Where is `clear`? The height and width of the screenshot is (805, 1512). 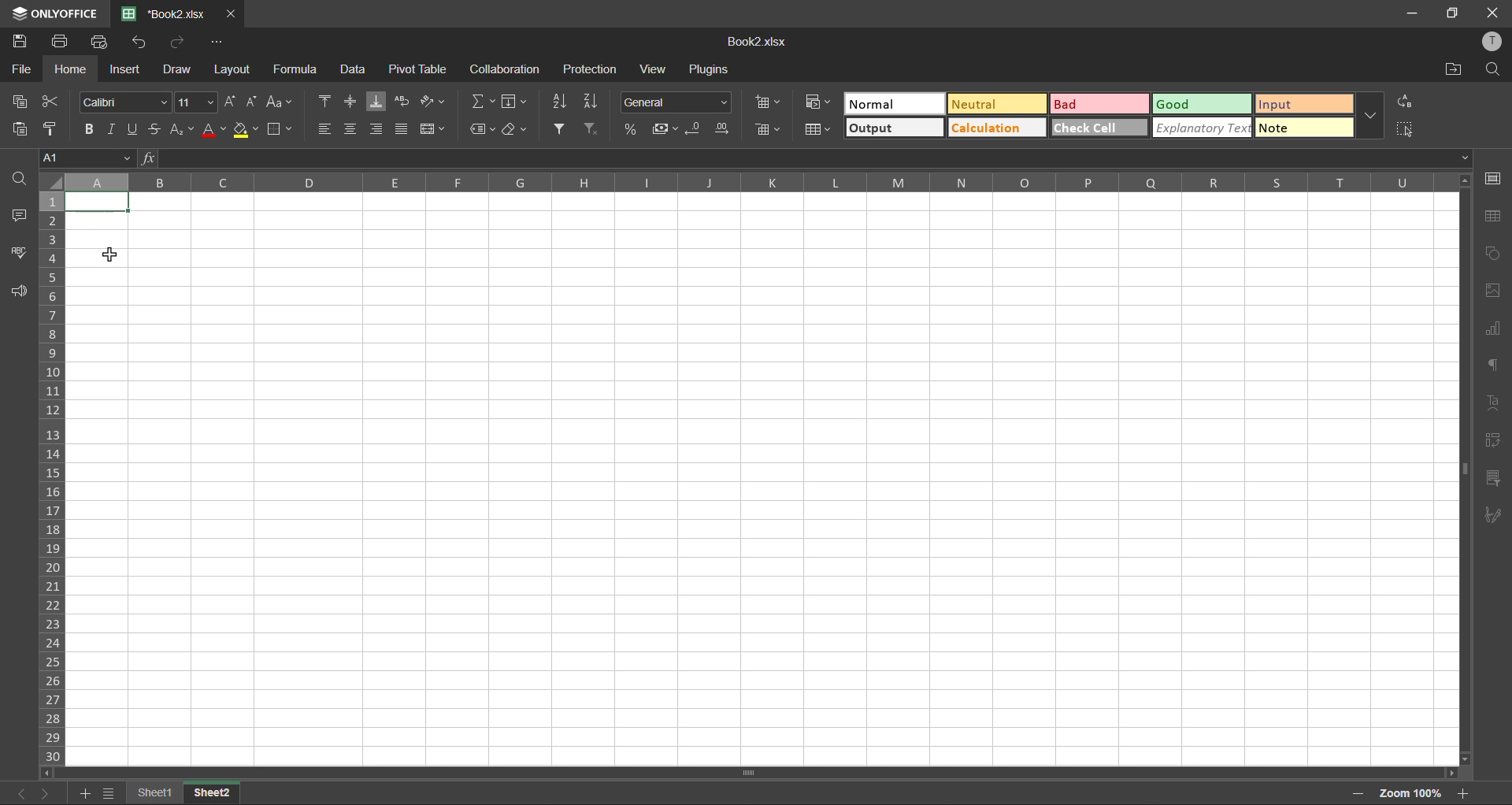 clear is located at coordinates (518, 129).